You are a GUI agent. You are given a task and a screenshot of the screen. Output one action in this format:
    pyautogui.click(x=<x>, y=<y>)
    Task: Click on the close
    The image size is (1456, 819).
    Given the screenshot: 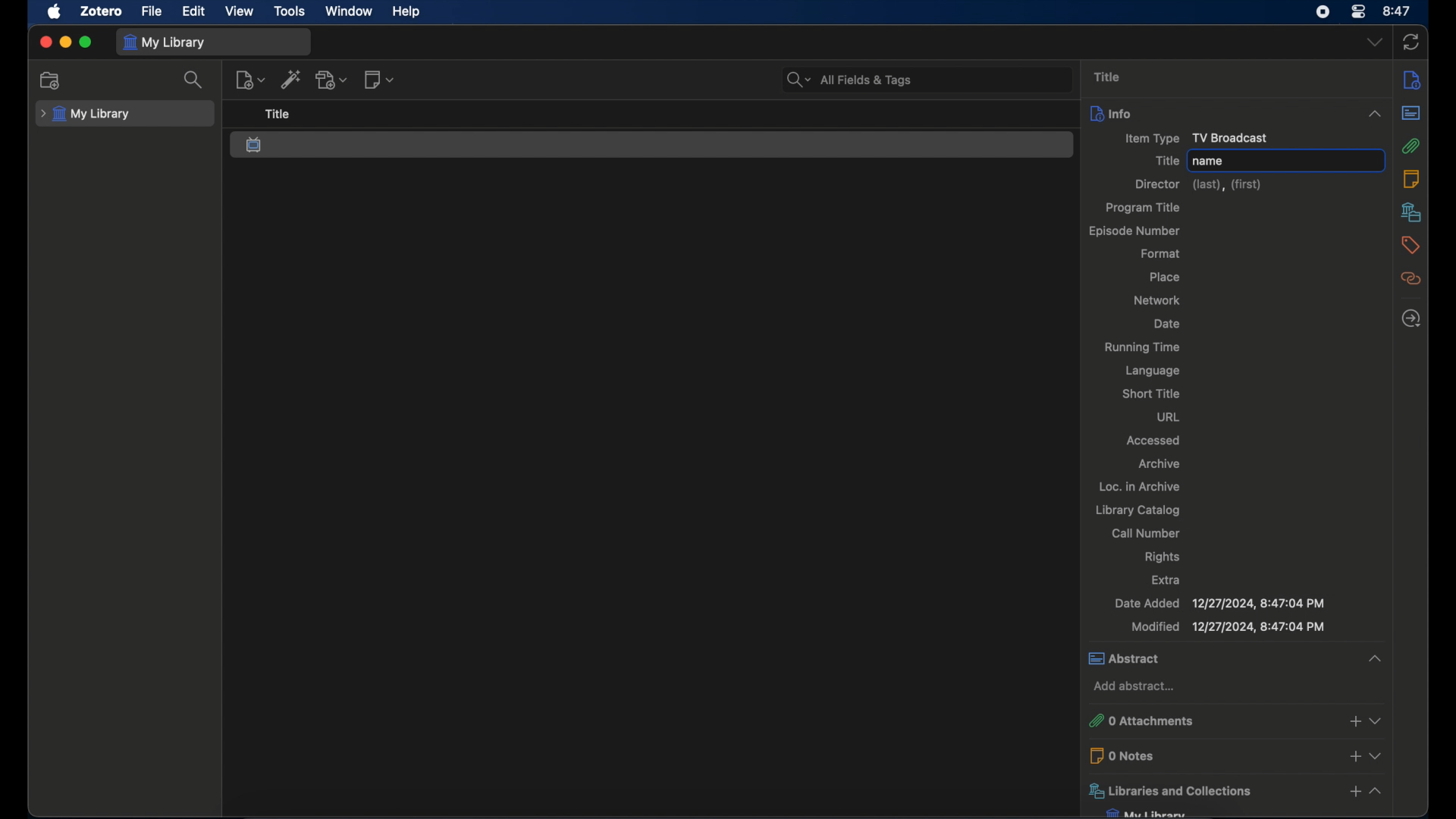 What is the action you would take?
    pyautogui.click(x=45, y=42)
    